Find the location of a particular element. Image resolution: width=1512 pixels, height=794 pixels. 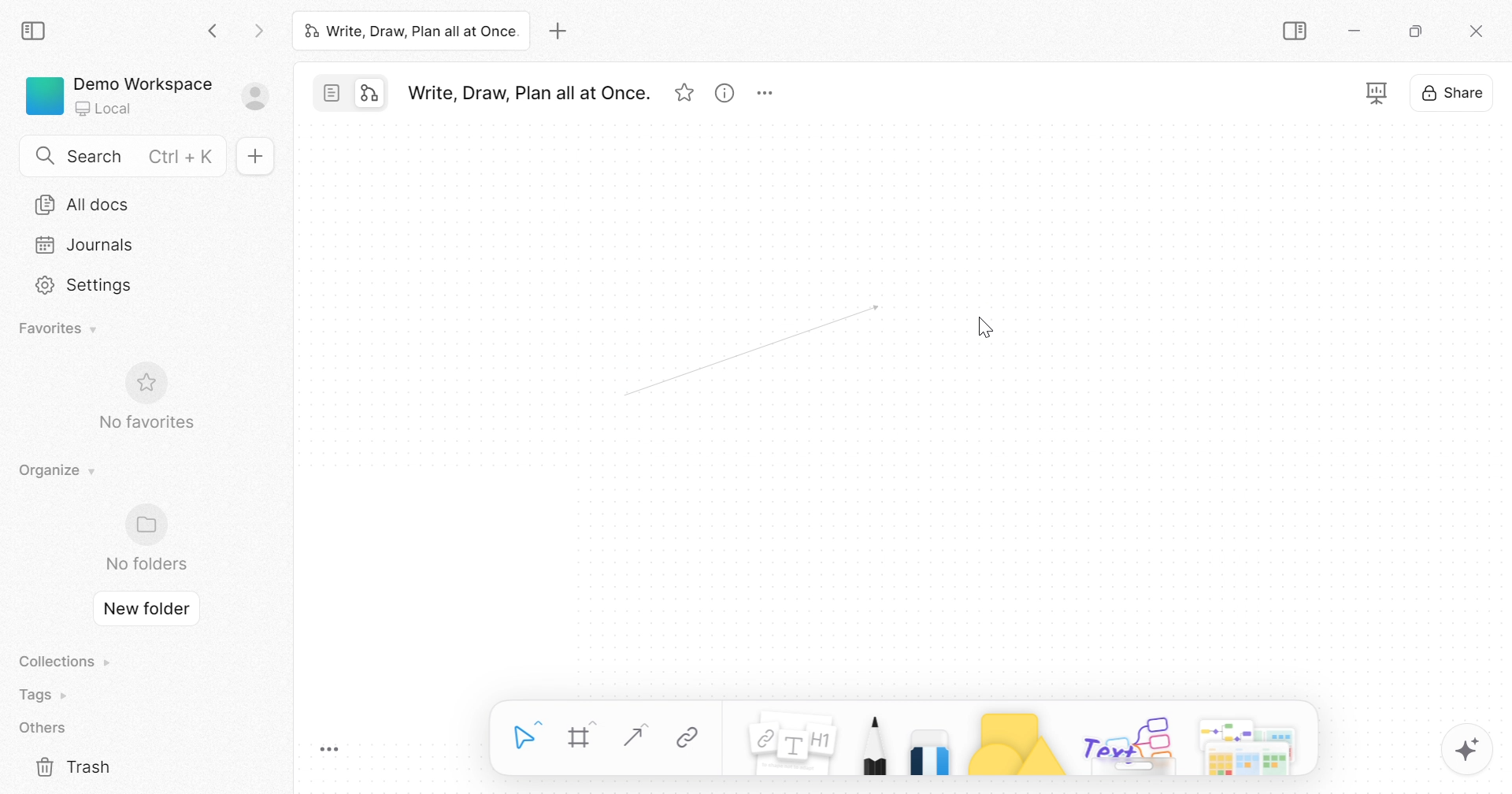

Favorites is located at coordinates (685, 94).